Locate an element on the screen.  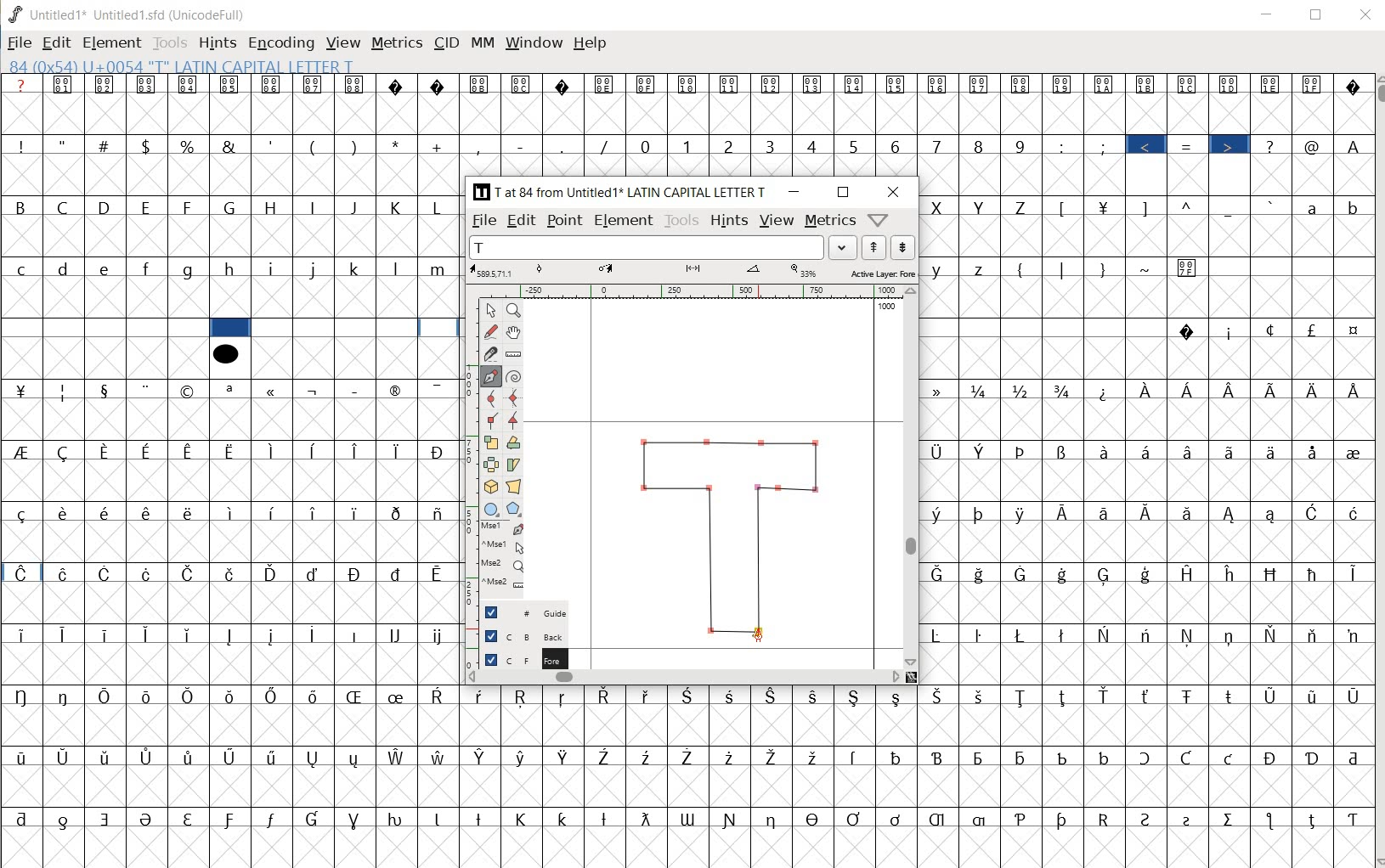
Symbol is located at coordinates (399, 573).